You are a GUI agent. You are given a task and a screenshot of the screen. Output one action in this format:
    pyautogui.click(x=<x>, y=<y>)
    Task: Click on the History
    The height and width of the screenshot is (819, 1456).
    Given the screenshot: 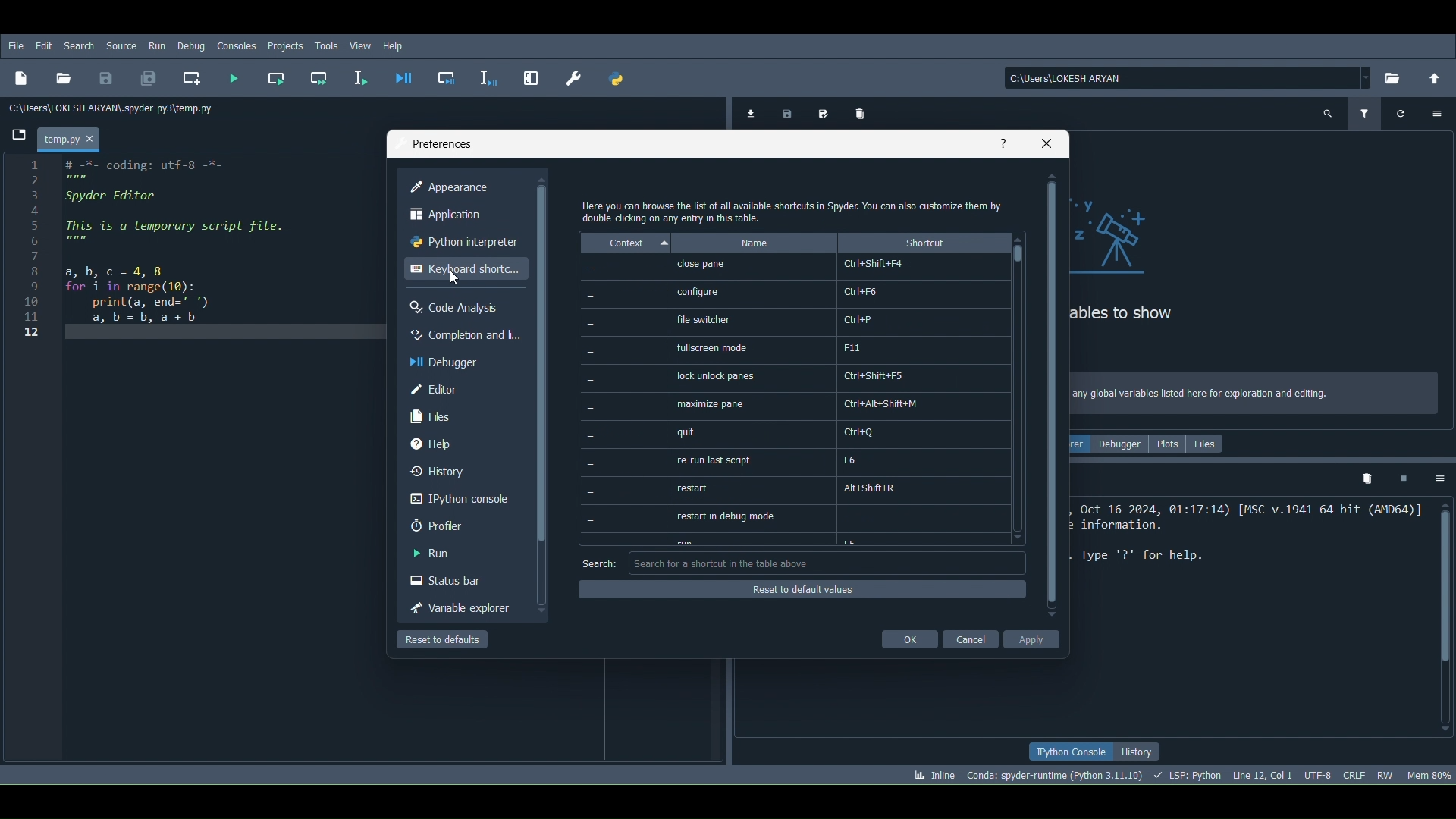 What is the action you would take?
    pyautogui.click(x=1139, y=752)
    